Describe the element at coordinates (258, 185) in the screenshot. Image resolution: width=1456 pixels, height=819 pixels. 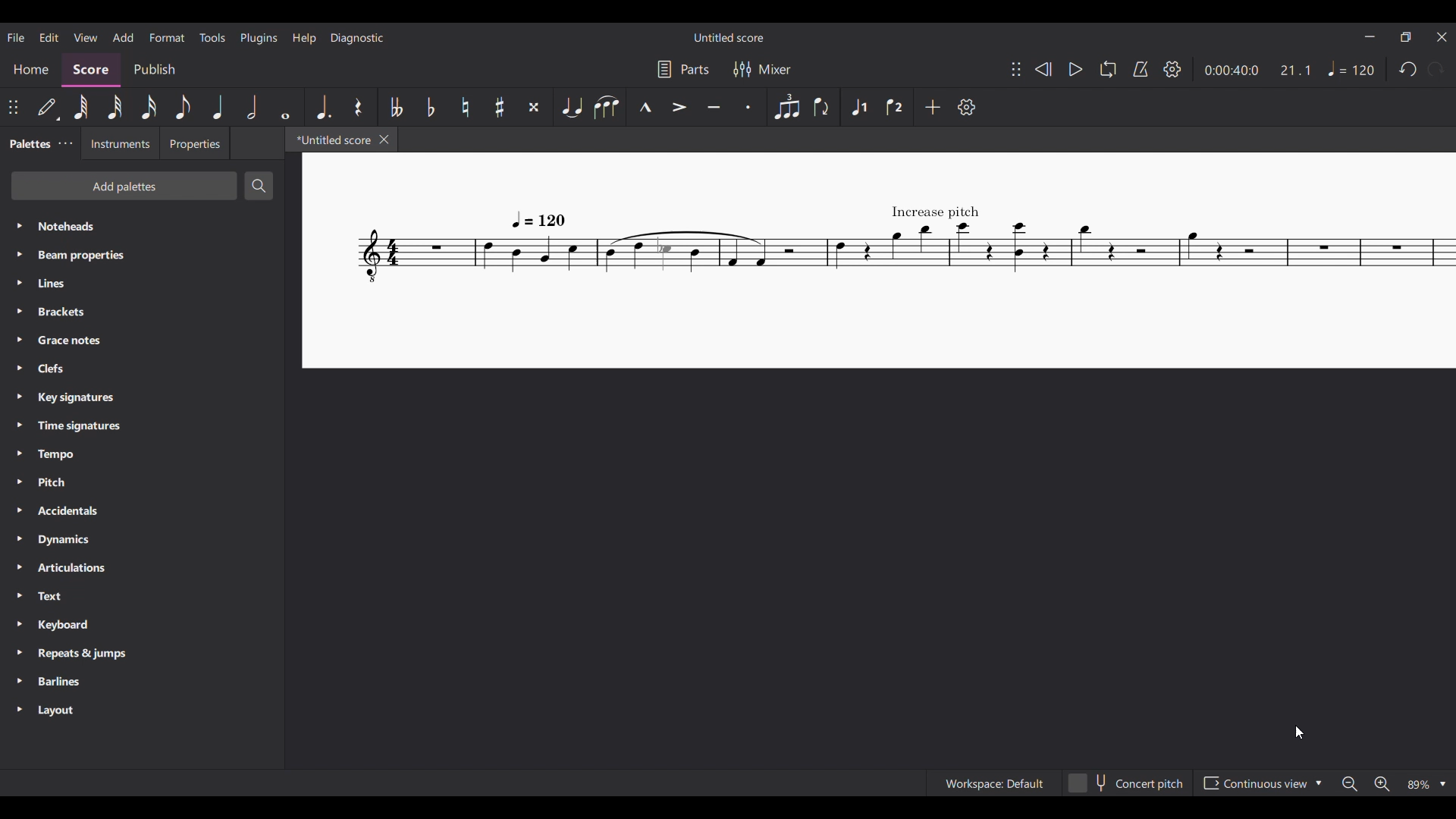
I see `Search` at that location.